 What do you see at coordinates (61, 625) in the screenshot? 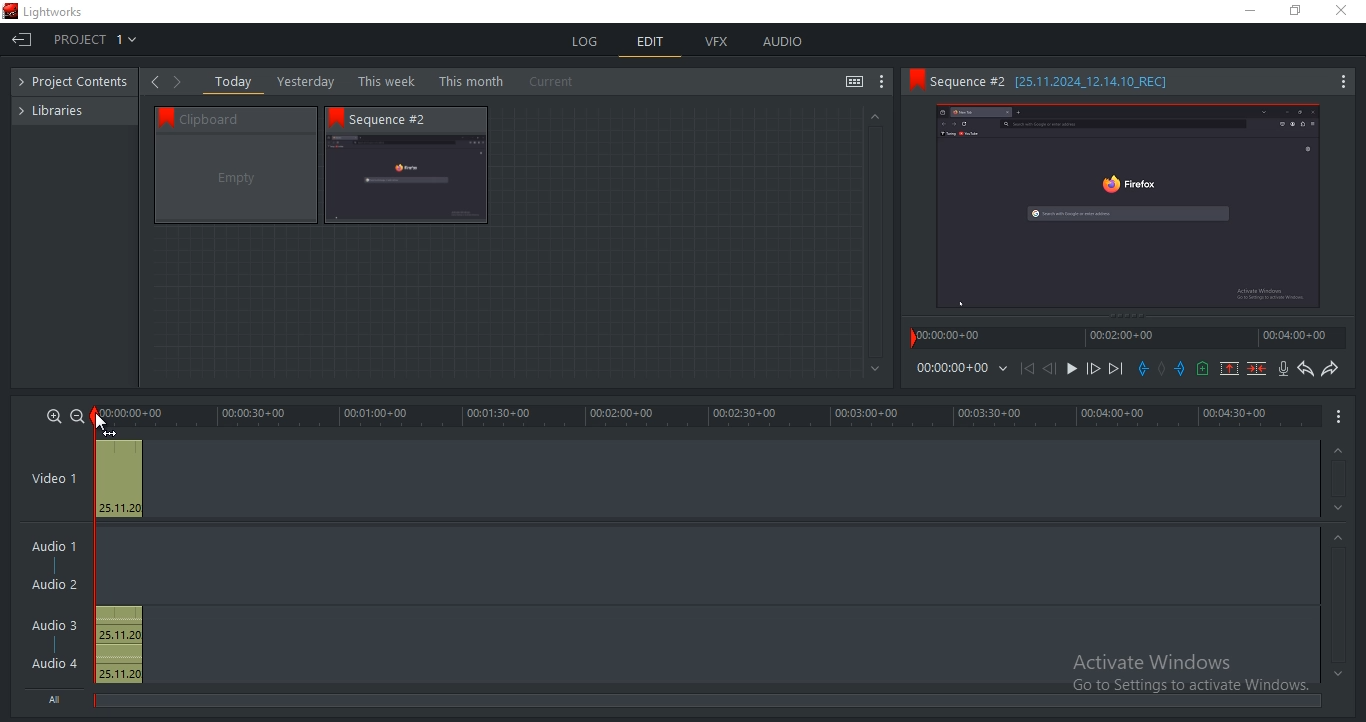
I see `Audio 3` at bounding box center [61, 625].